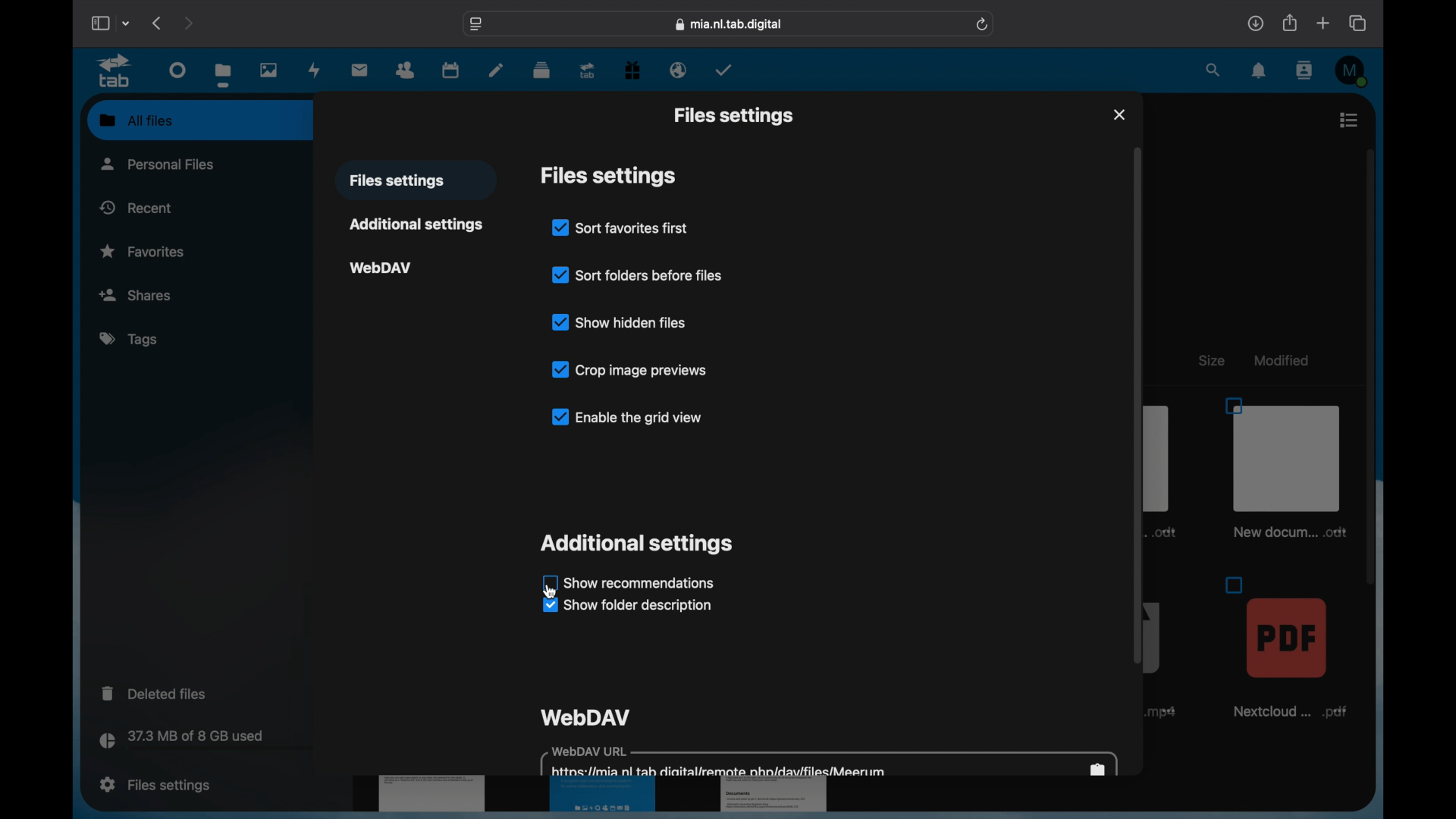 This screenshot has width=1456, height=819. I want to click on deleted files, so click(154, 693).